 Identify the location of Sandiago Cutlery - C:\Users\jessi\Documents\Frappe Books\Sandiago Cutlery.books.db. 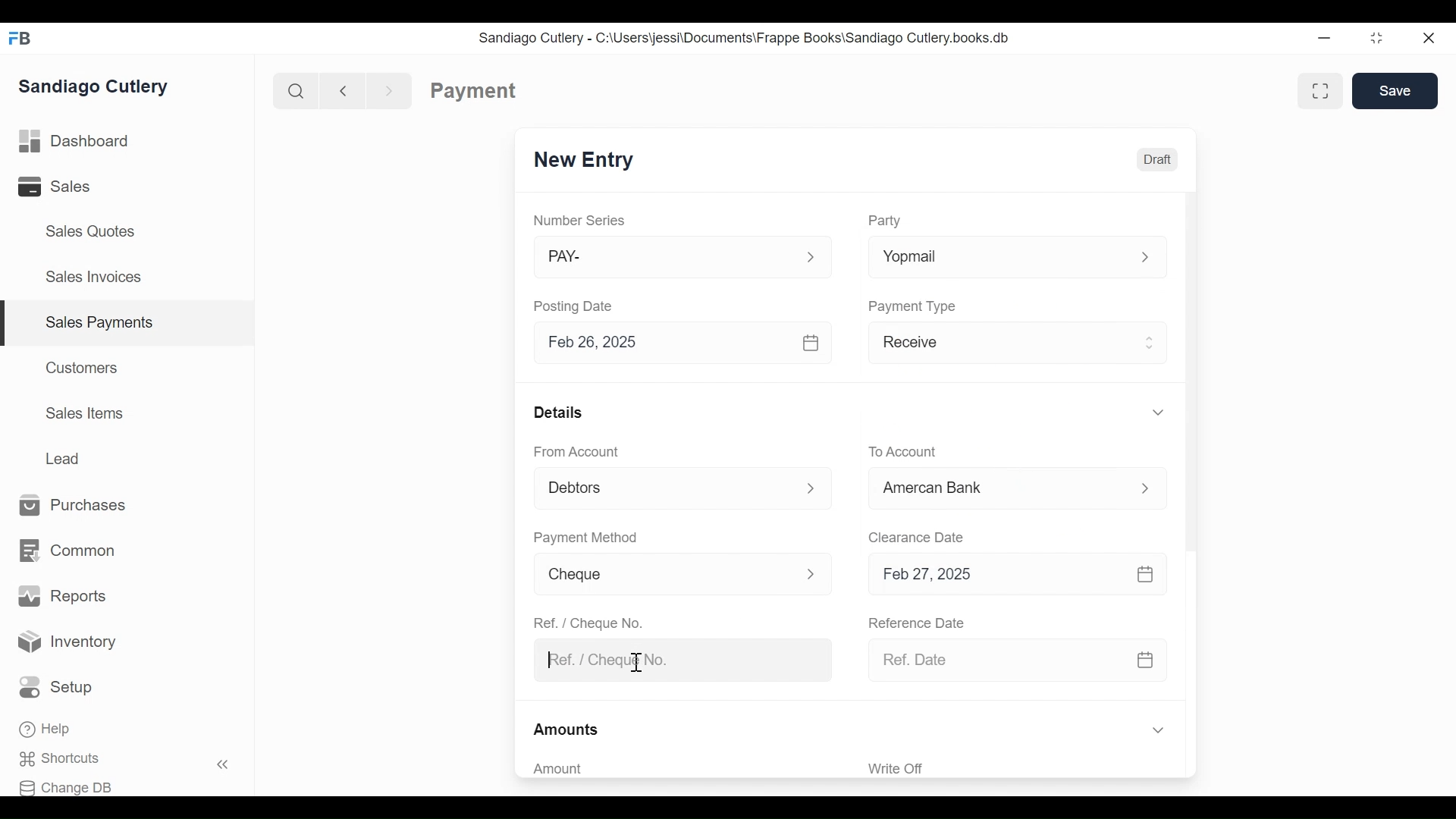
(744, 37).